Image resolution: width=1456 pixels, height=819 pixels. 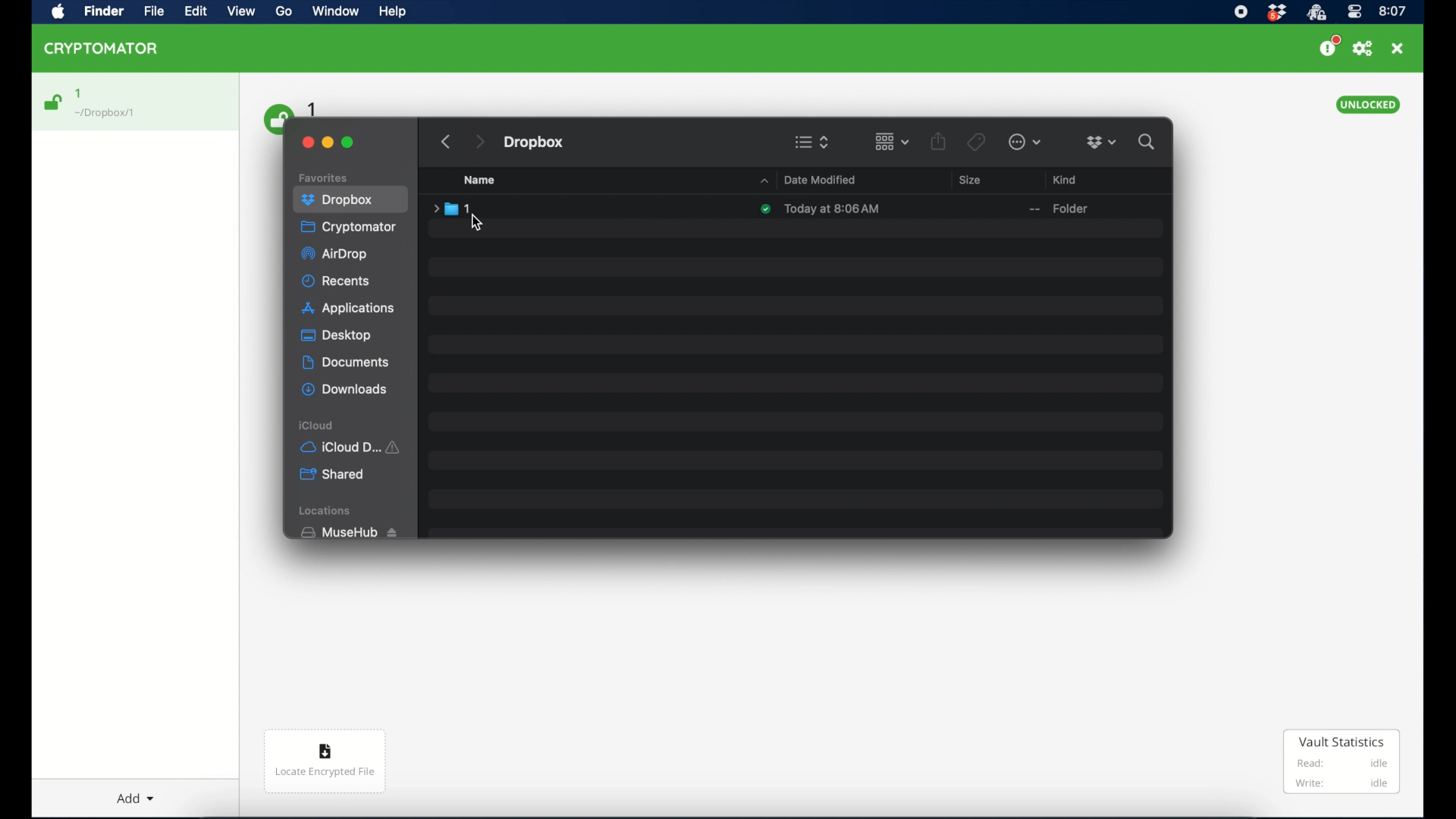 What do you see at coordinates (1276, 13) in the screenshot?
I see `dropbox icon` at bounding box center [1276, 13].